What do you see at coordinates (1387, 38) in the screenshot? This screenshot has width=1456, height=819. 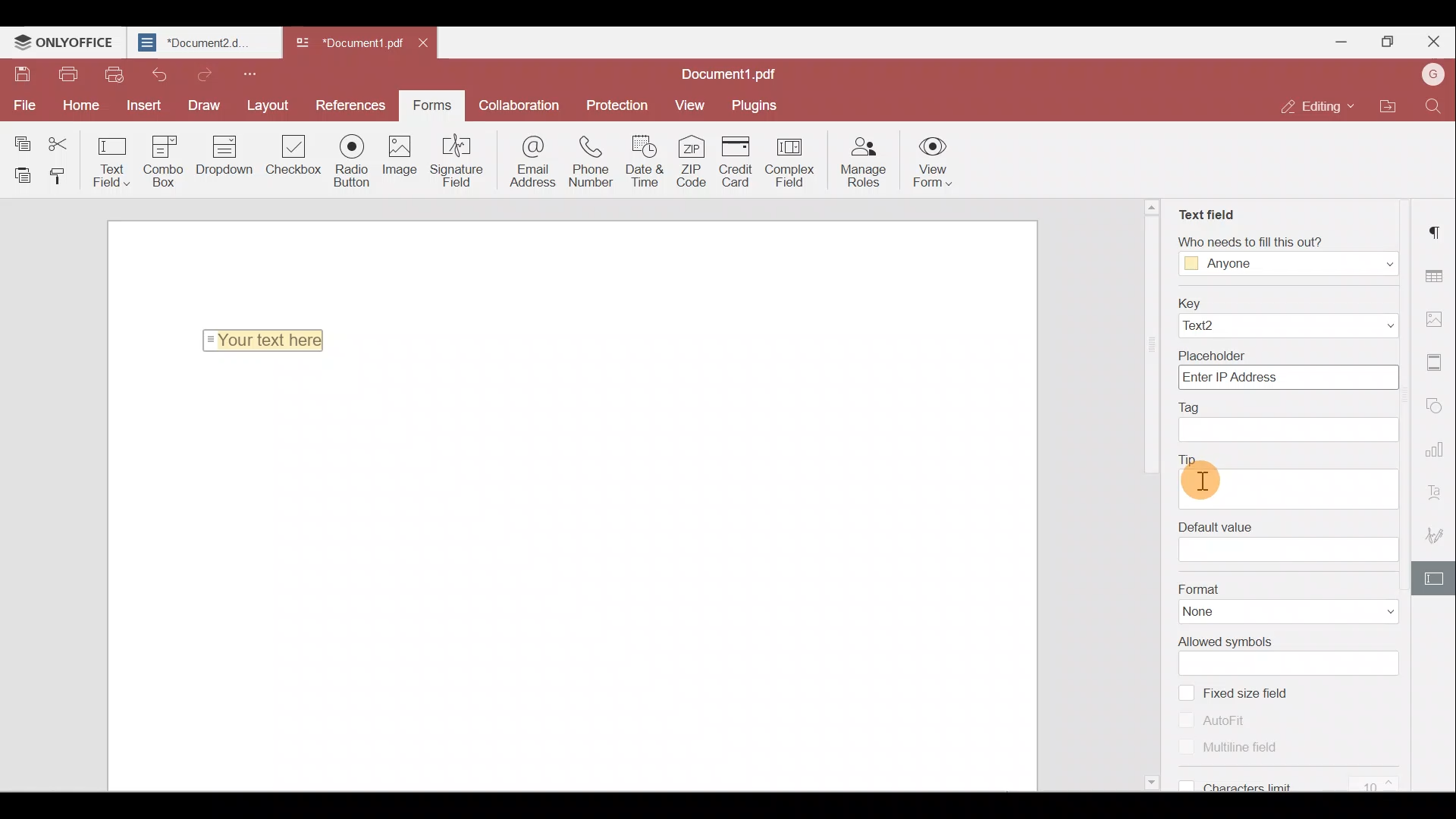 I see `Maximize` at bounding box center [1387, 38].